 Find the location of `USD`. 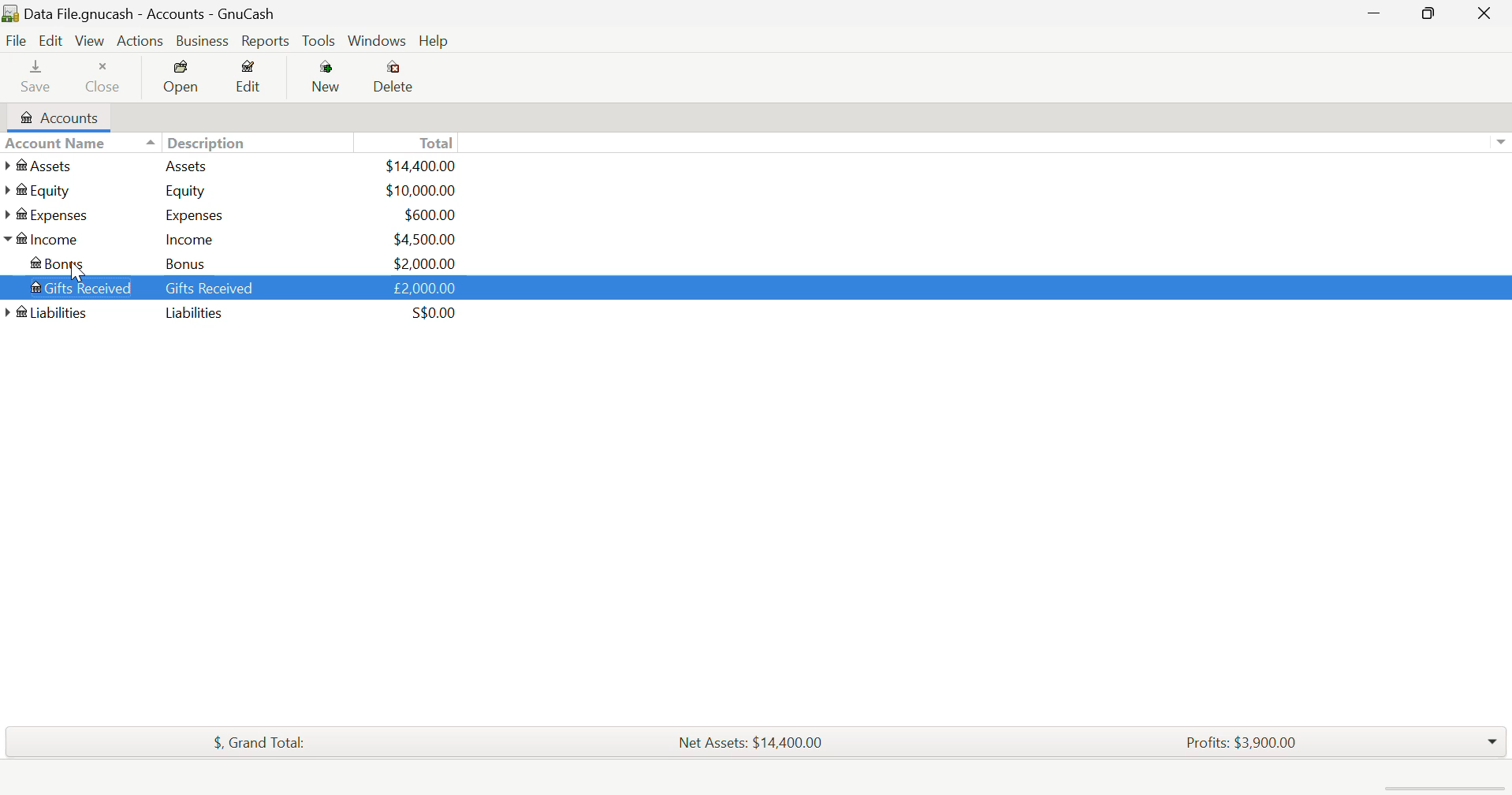

USD is located at coordinates (423, 166).